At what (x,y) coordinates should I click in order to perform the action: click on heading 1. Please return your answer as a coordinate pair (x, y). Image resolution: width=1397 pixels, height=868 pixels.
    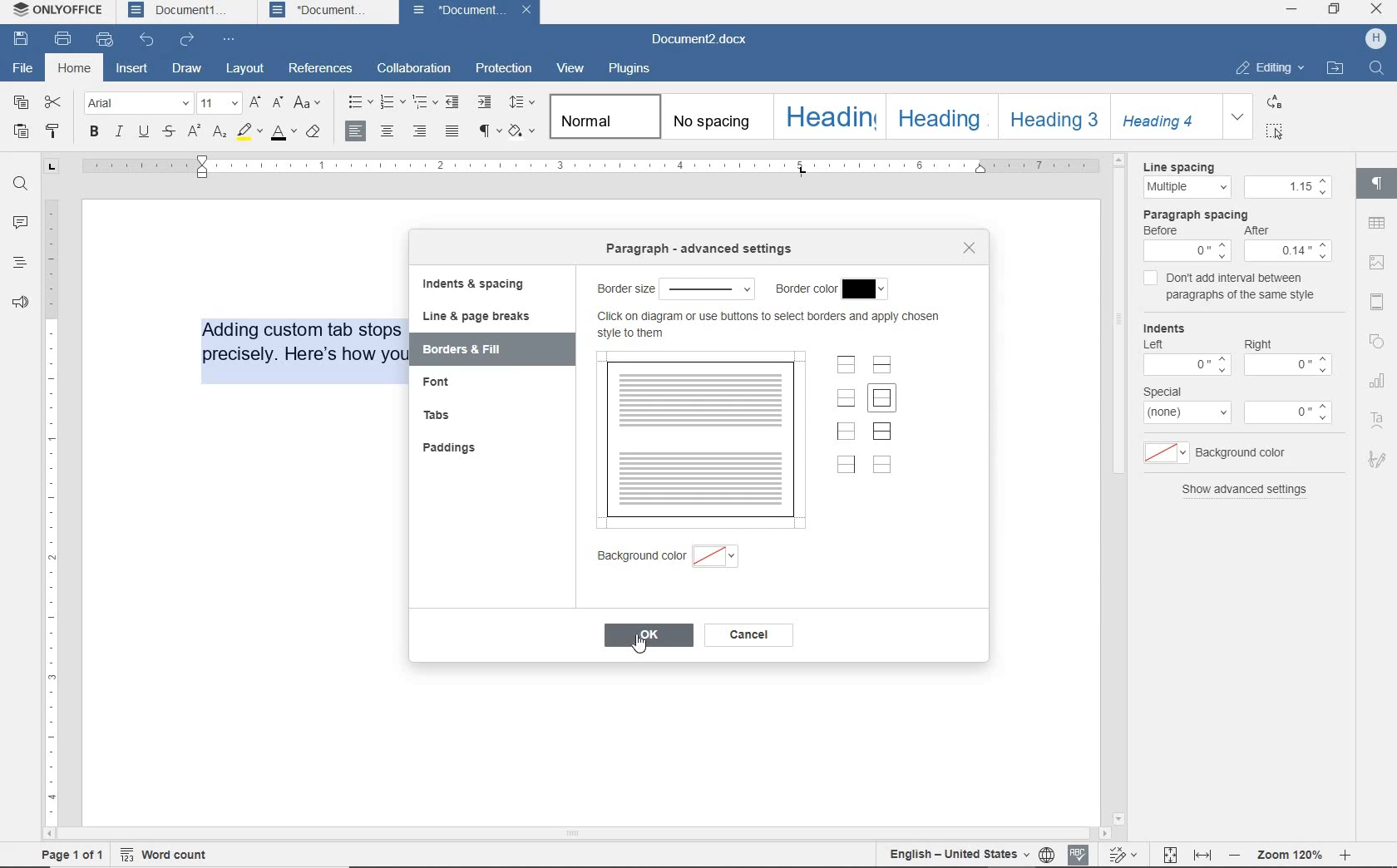
    Looking at the image, I should click on (827, 117).